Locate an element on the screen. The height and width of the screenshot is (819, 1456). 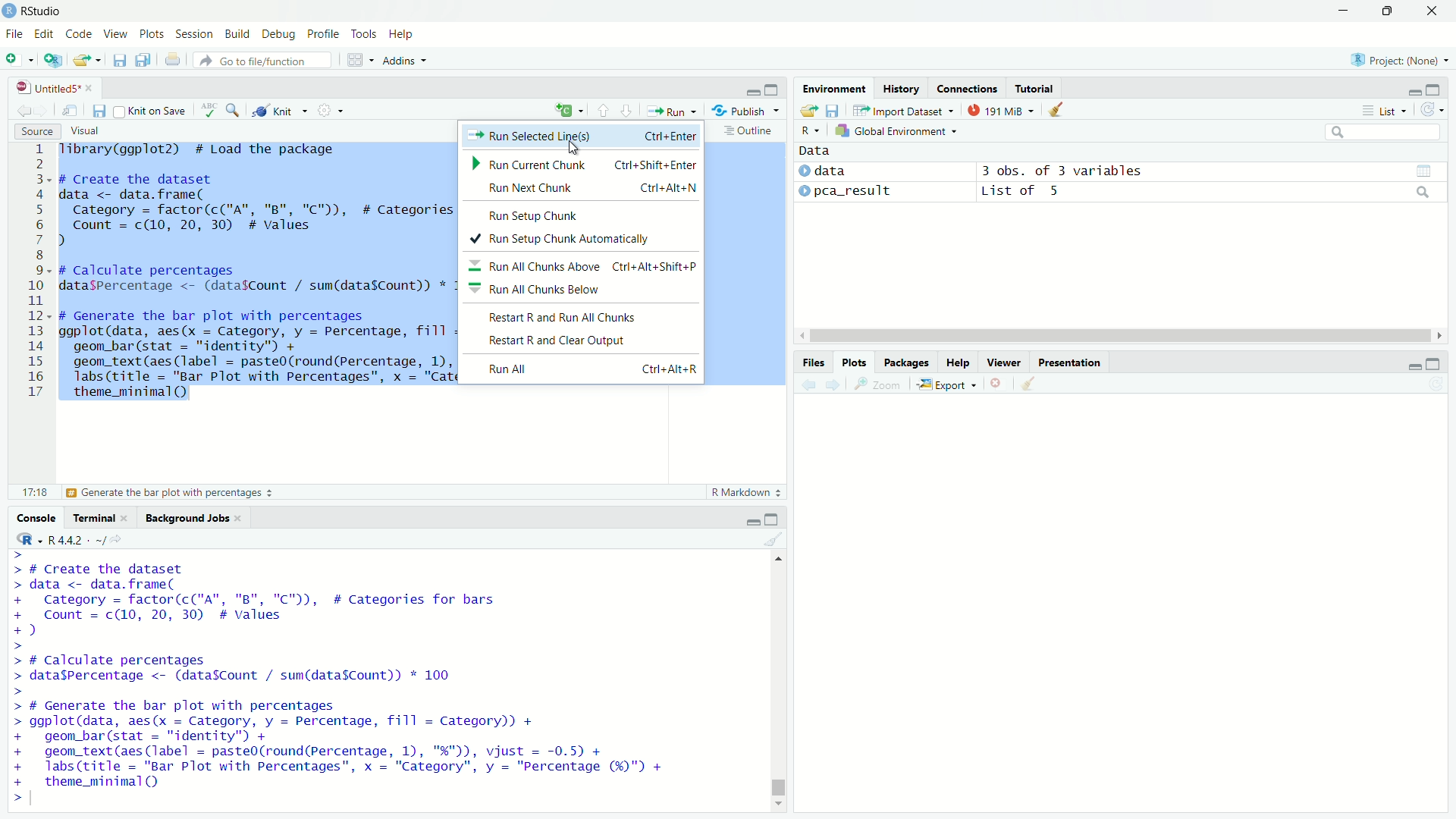
settings is located at coordinates (325, 109).